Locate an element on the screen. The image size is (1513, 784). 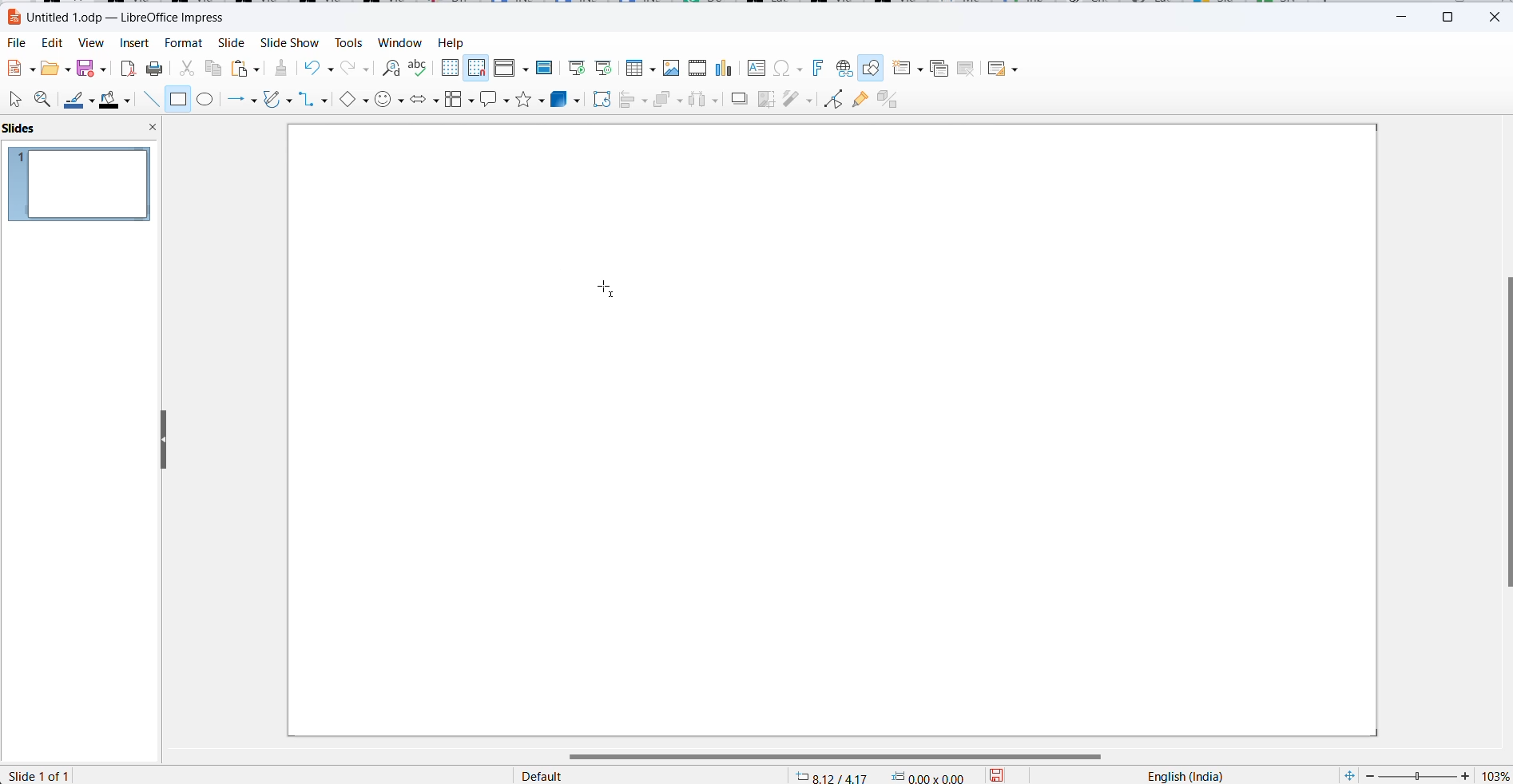
new file is located at coordinates (19, 69).